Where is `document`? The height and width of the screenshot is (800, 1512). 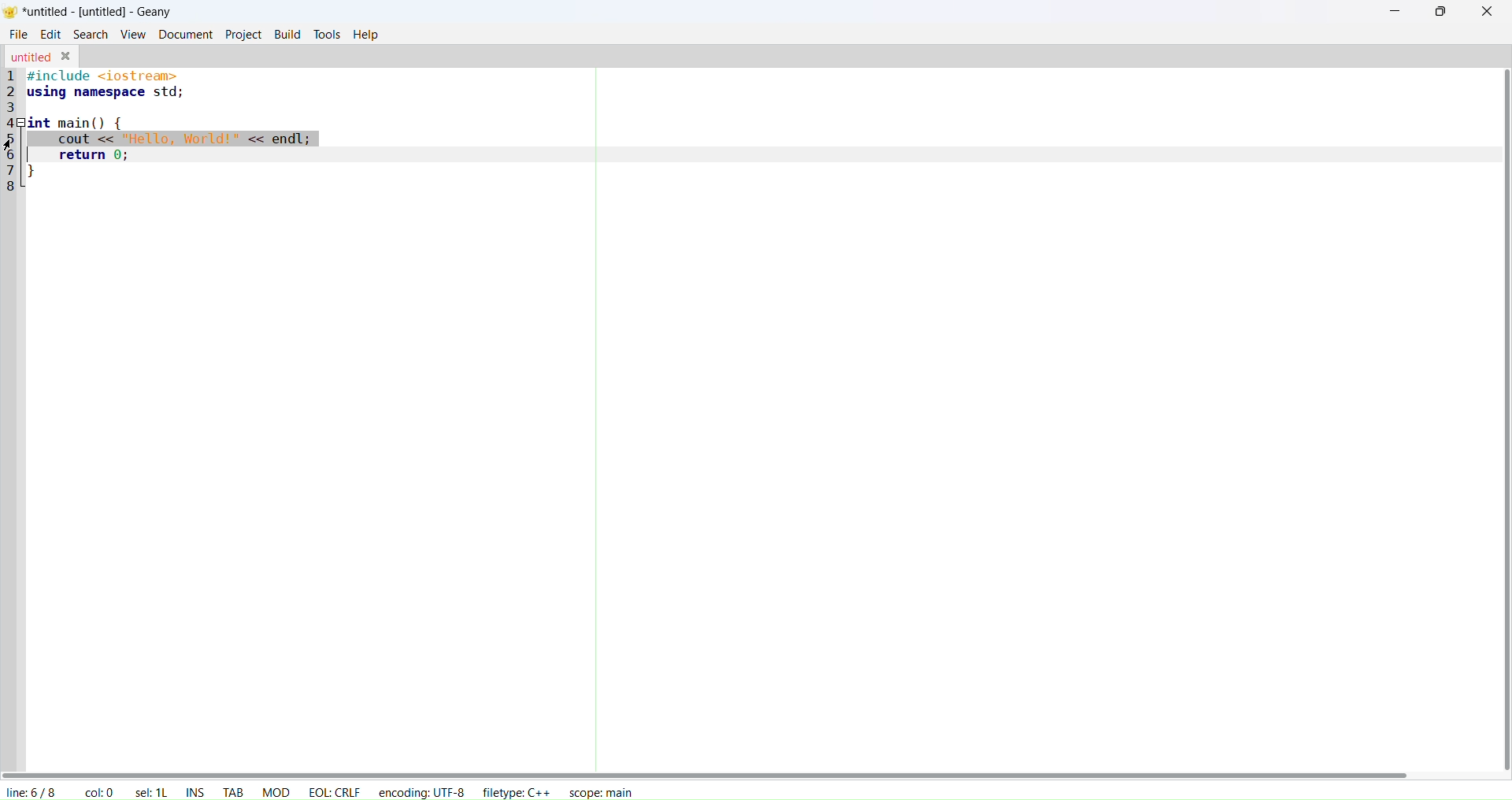 document is located at coordinates (187, 33).